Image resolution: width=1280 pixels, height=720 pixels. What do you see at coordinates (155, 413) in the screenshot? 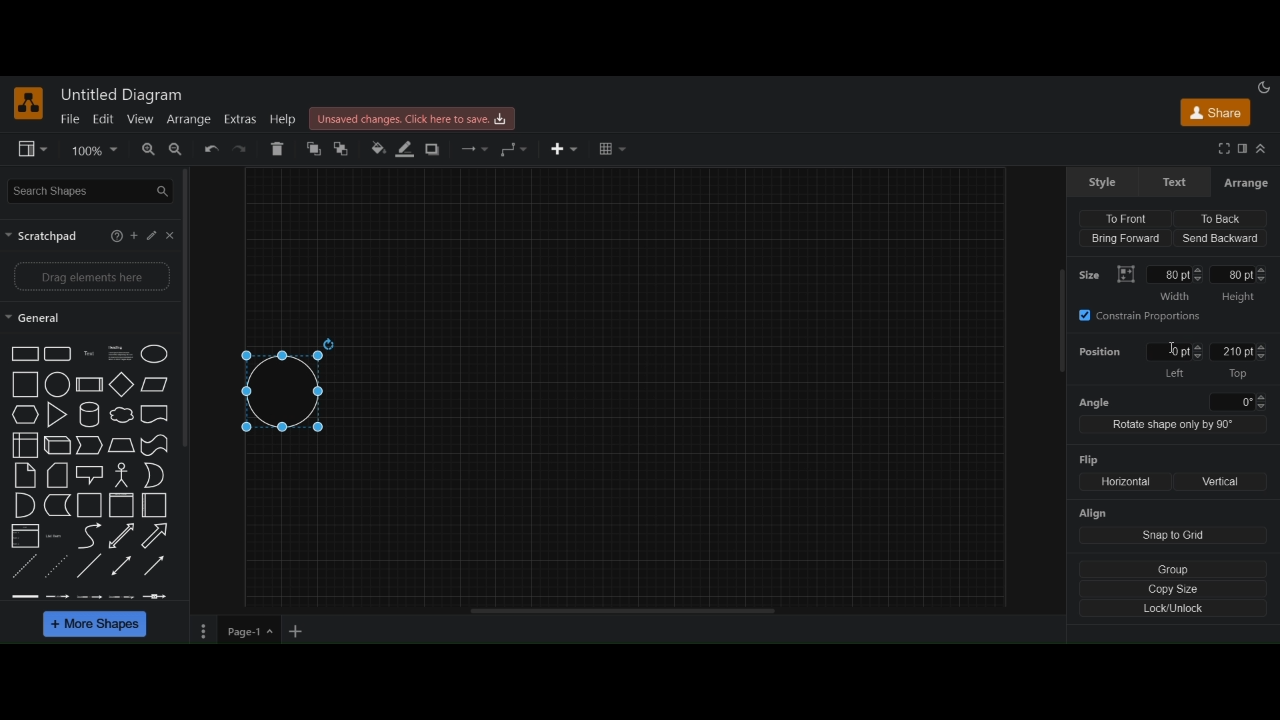
I see `square free shape` at bounding box center [155, 413].